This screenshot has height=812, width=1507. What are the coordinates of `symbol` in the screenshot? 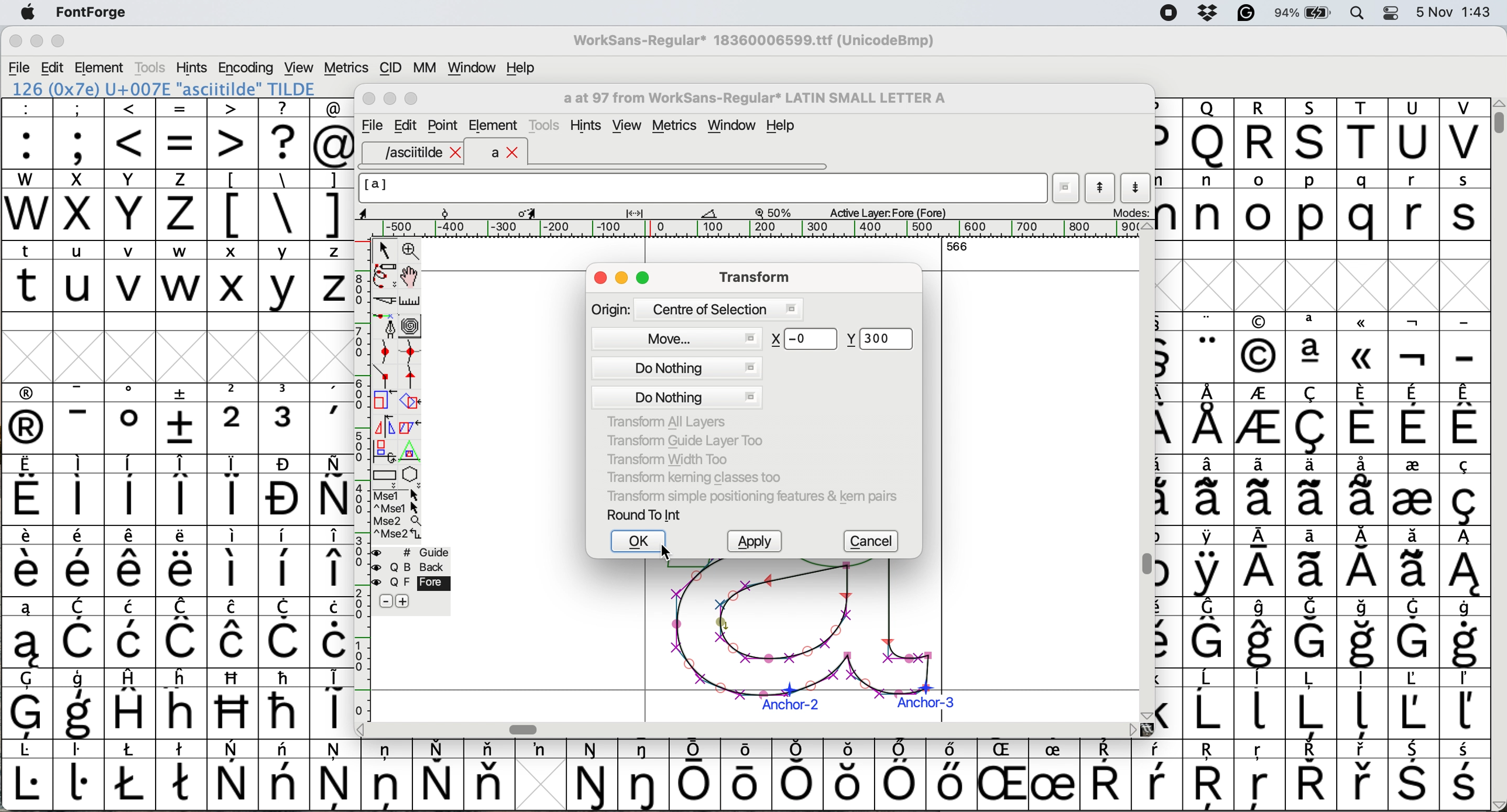 It's located at (133, 703).